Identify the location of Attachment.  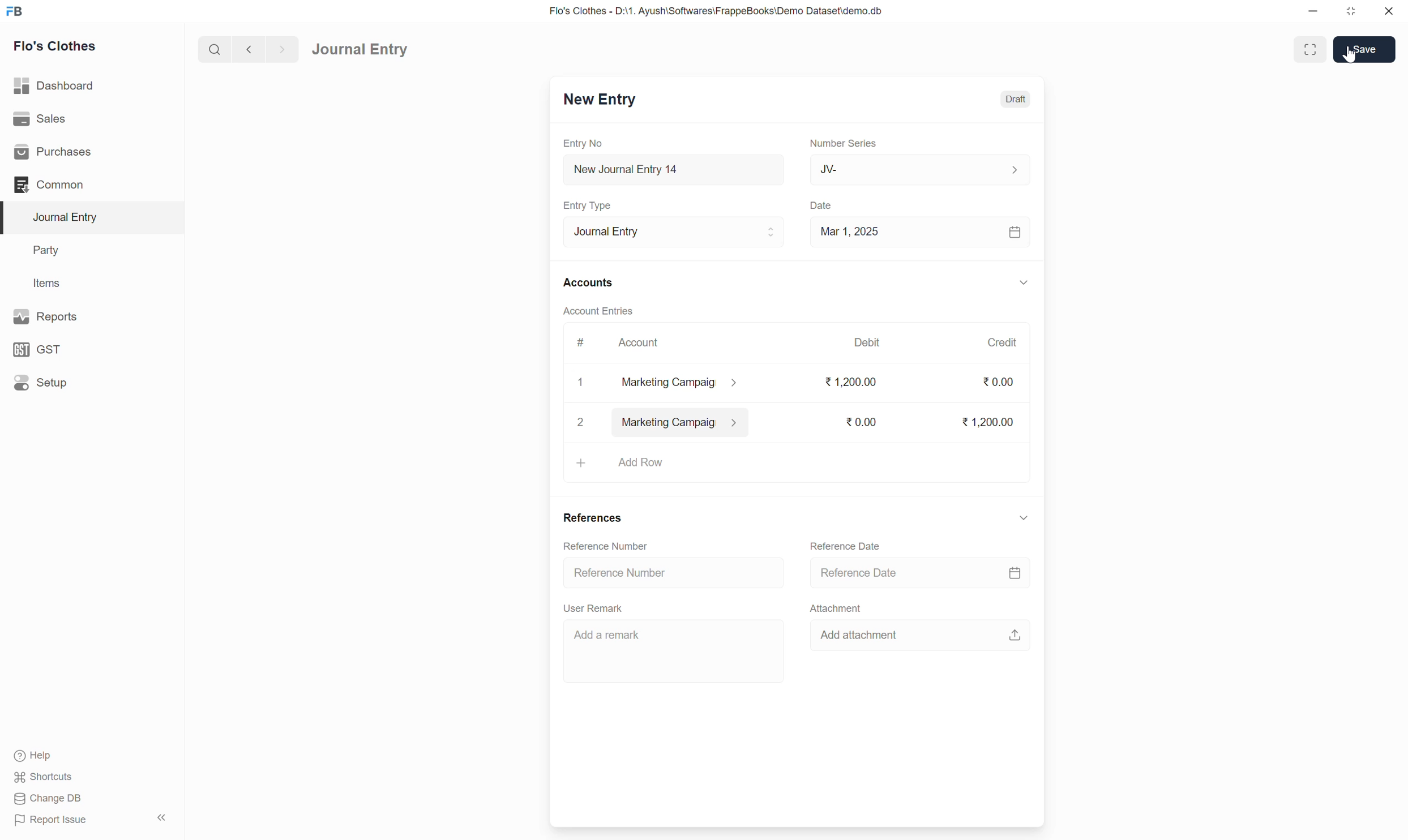
(839, 610).